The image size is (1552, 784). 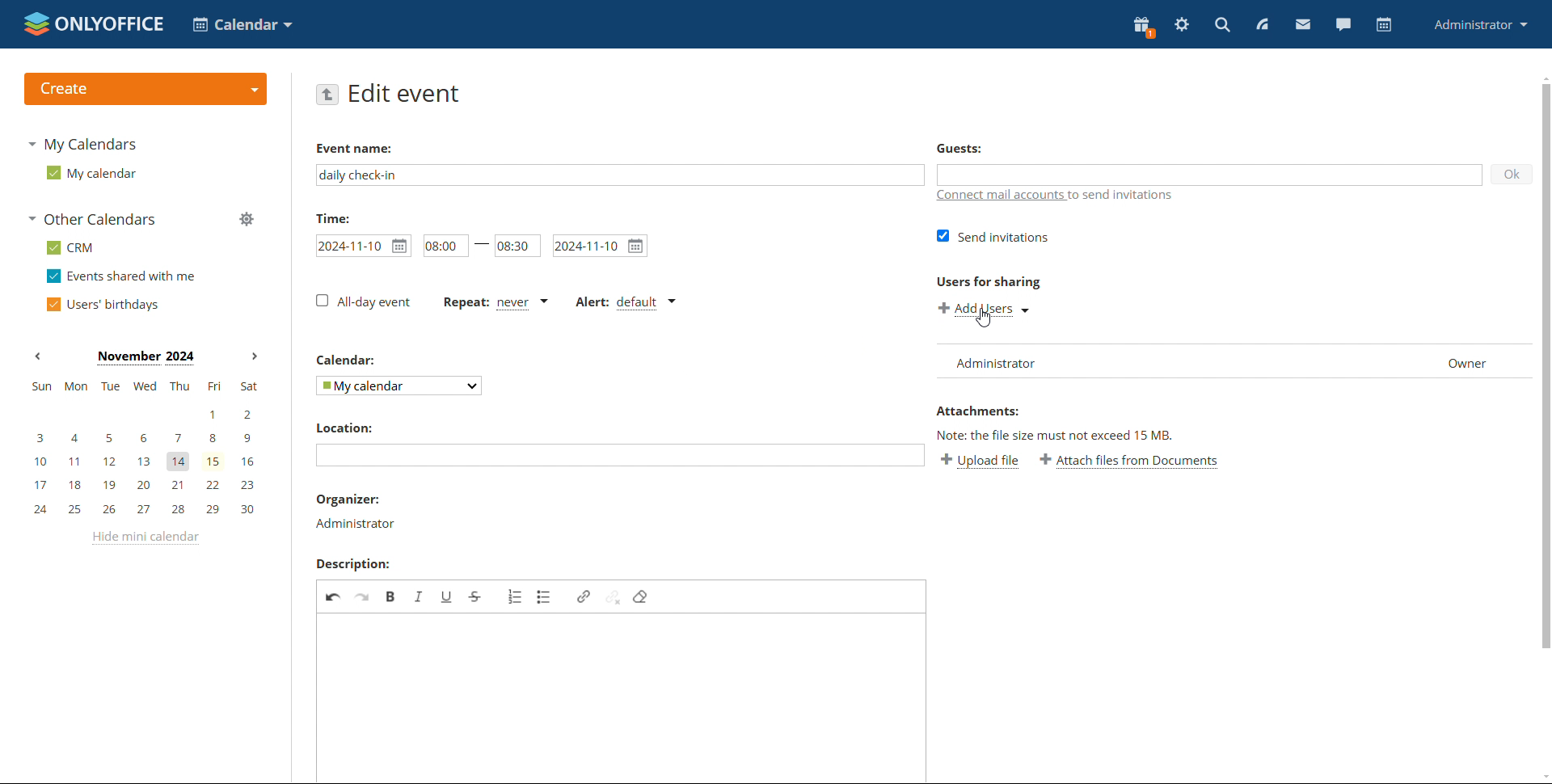 What do you see at coordinates (406, 94) in the screenshot?
I see `edit event` at bounding box center [406, 94].